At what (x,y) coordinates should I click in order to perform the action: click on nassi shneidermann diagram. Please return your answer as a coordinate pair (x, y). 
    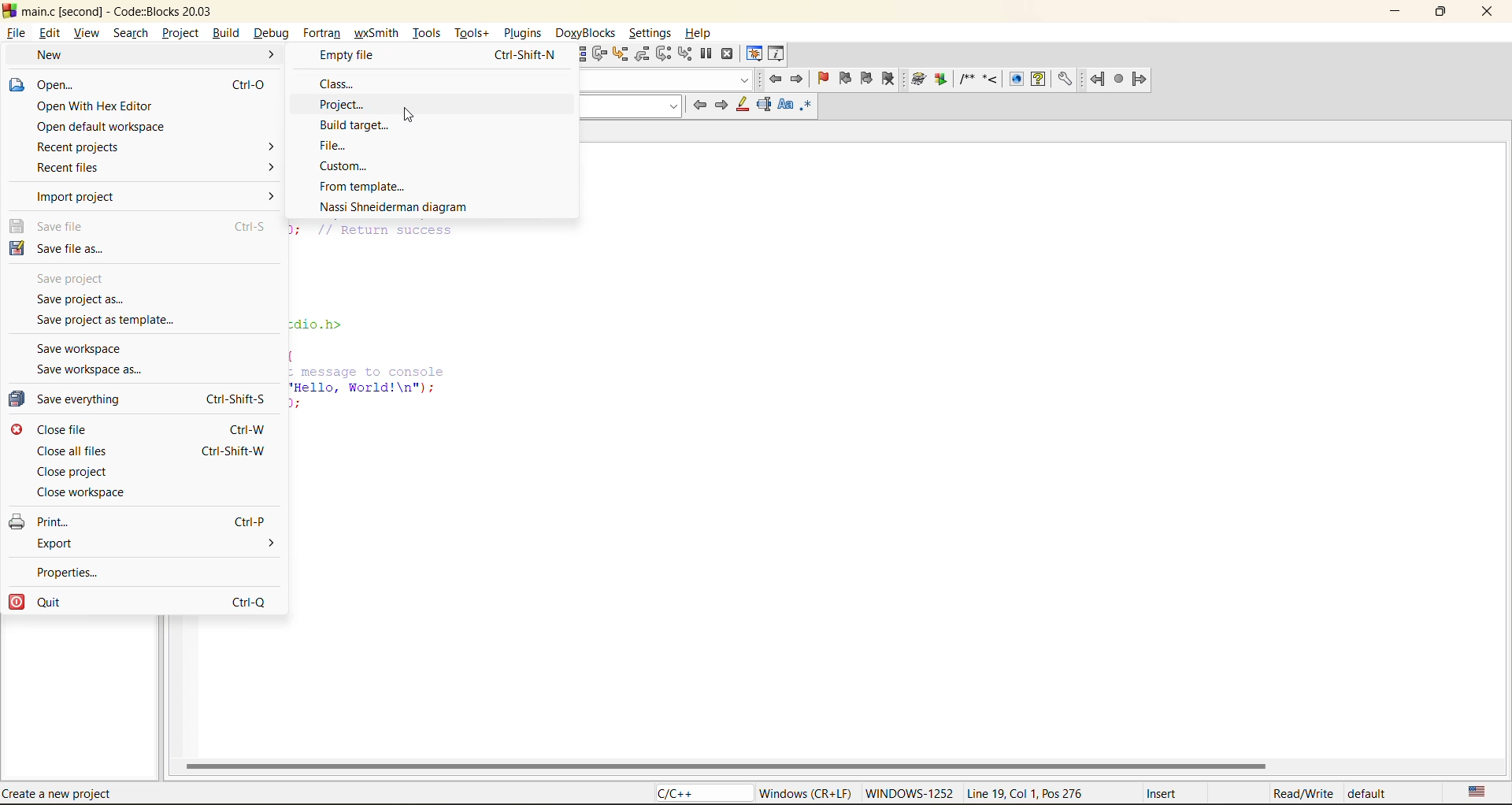
    Looking at the image, I should click on (394, 207).